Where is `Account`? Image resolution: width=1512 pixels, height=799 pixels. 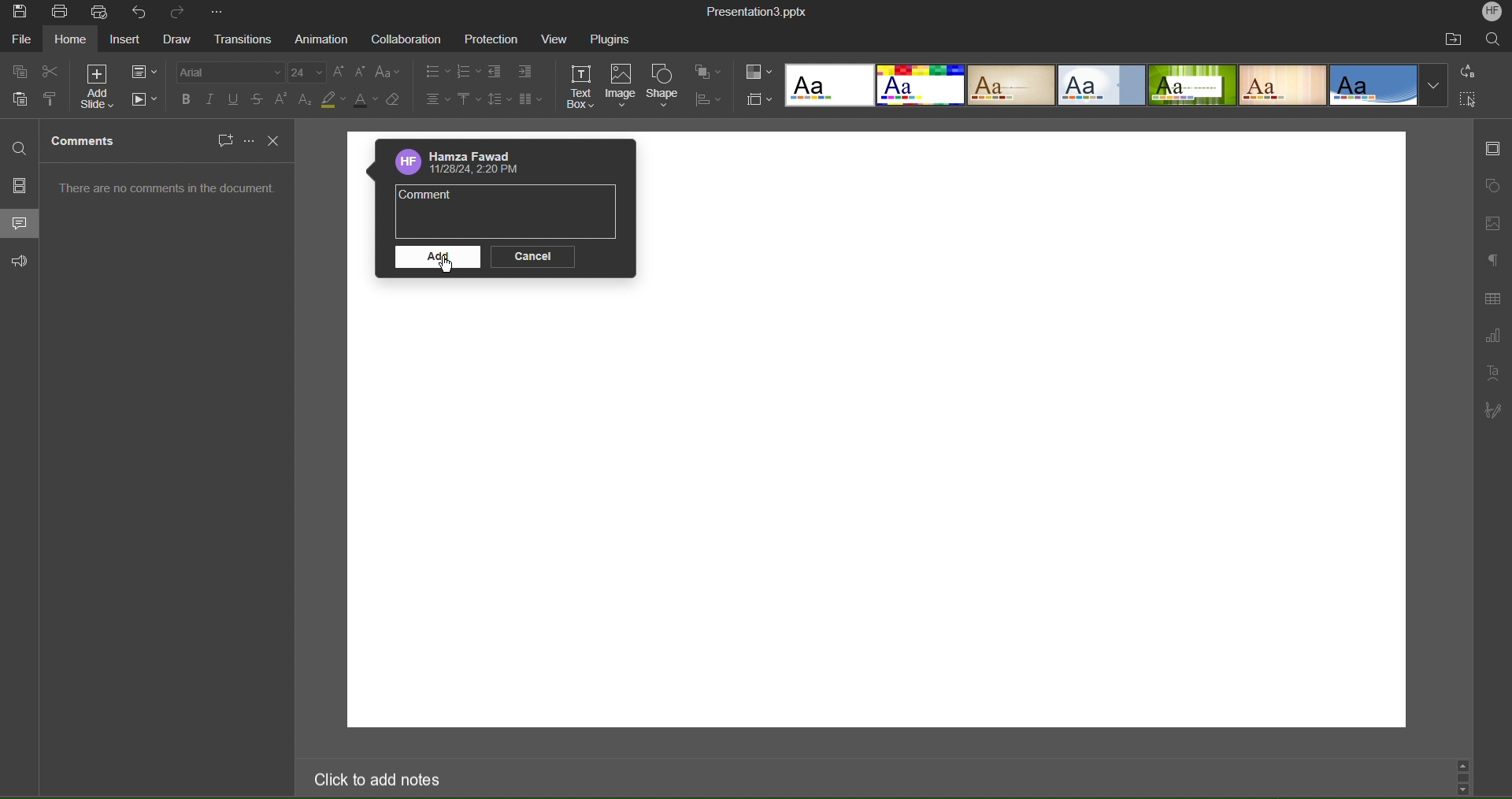
Account is located at coordinates (480, 155).